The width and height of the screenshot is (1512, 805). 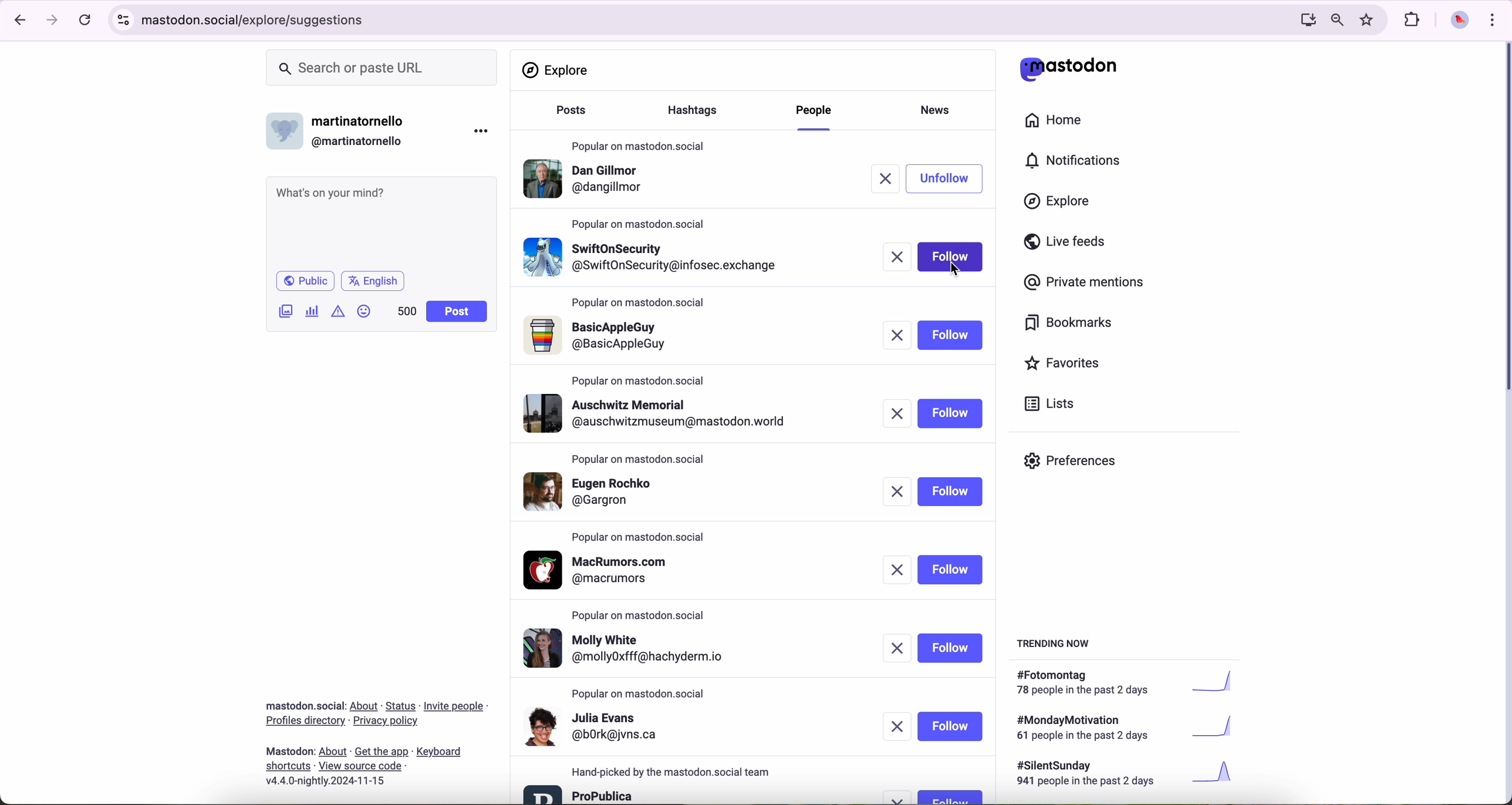 What do you see at coordinates (595, 726) in the screenshot?
I see `profile` at bounding box center [595, 726].